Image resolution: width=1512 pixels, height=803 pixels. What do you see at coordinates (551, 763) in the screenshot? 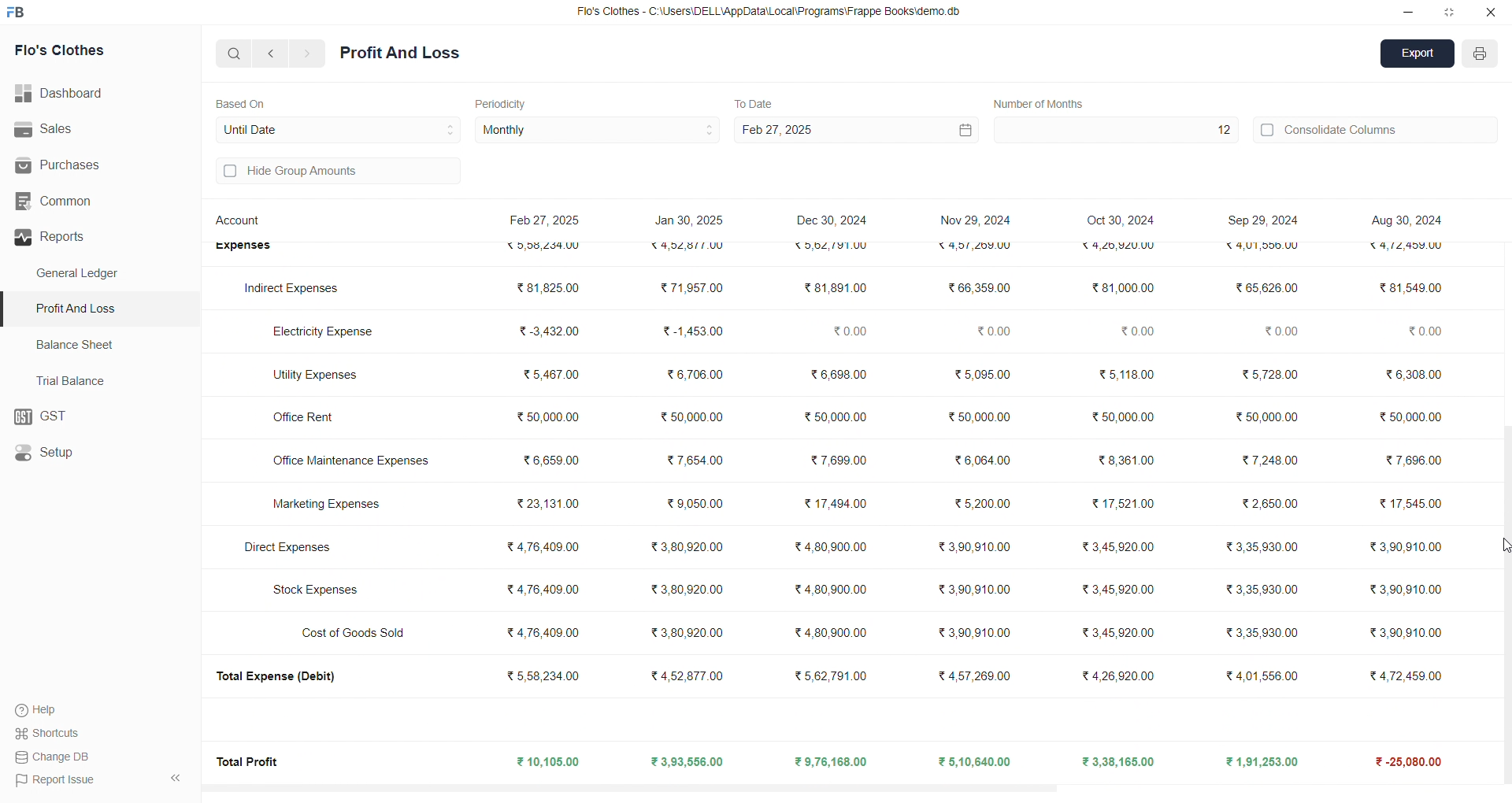
I see `₹10,105.00` at bounding box center [551, 763].